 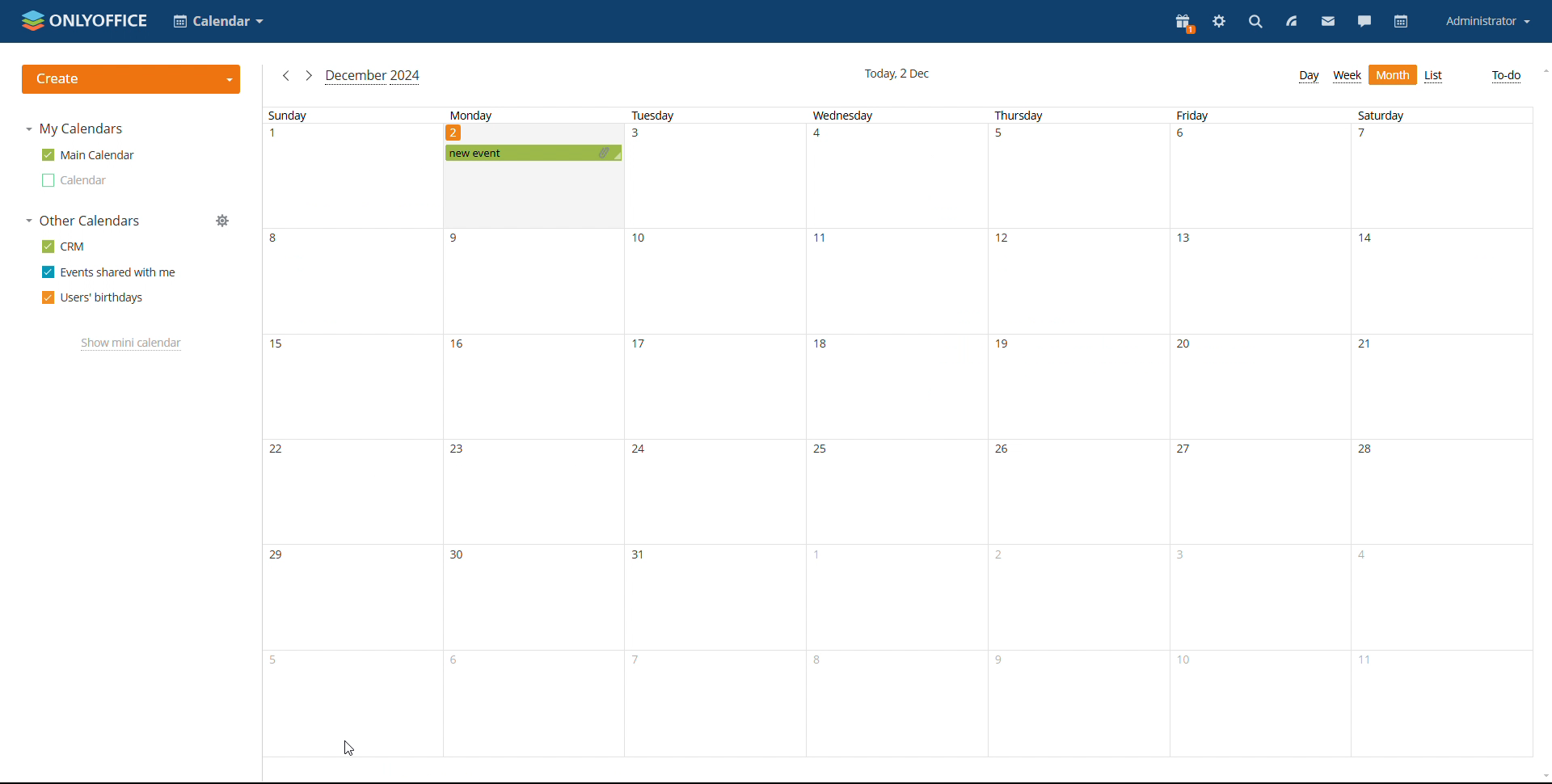 I want to click on sunday, so click(x=353, y=431).